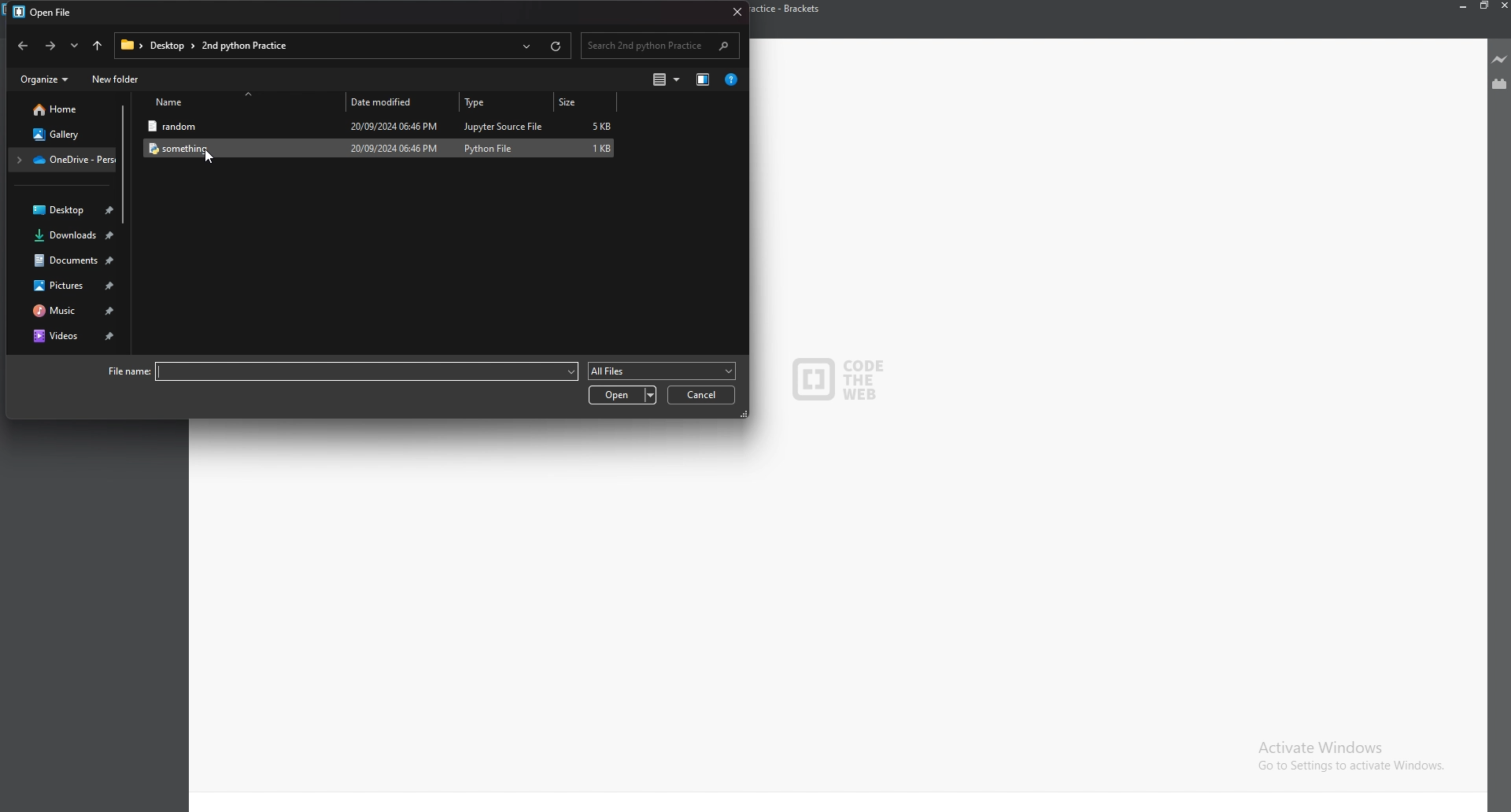 Image resolution: width=1511 pixels, height=812 pixels. Describe the element at coordinates (249, 45) in the screenshot. I see `2nd python practice` at that location.